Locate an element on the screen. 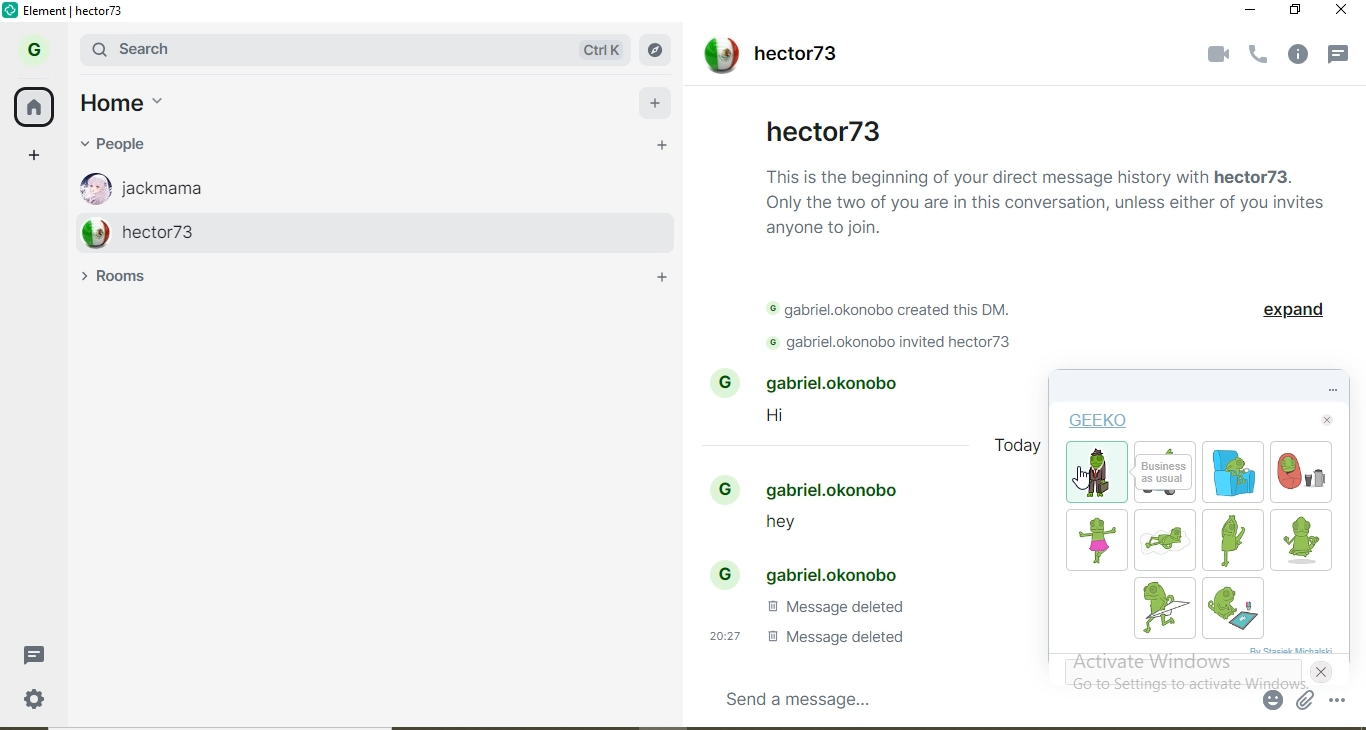 This screenshot has width=1366, height=730. close is located at coordinates (1325, 421).